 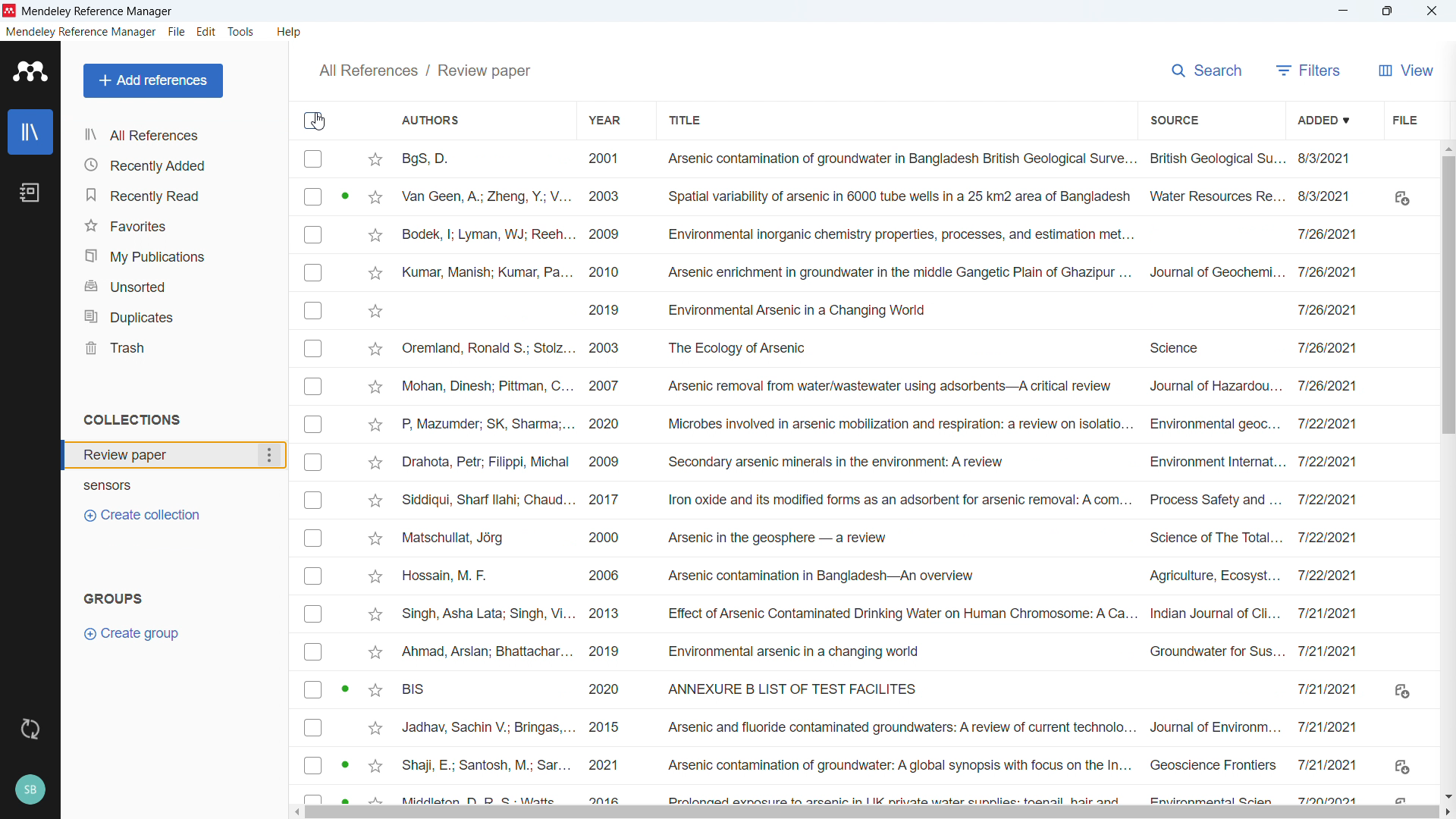 What do you see at coordinates (313, 462) in the screenshot?
I see `Select respective publication` at bounding box center [313, 462].